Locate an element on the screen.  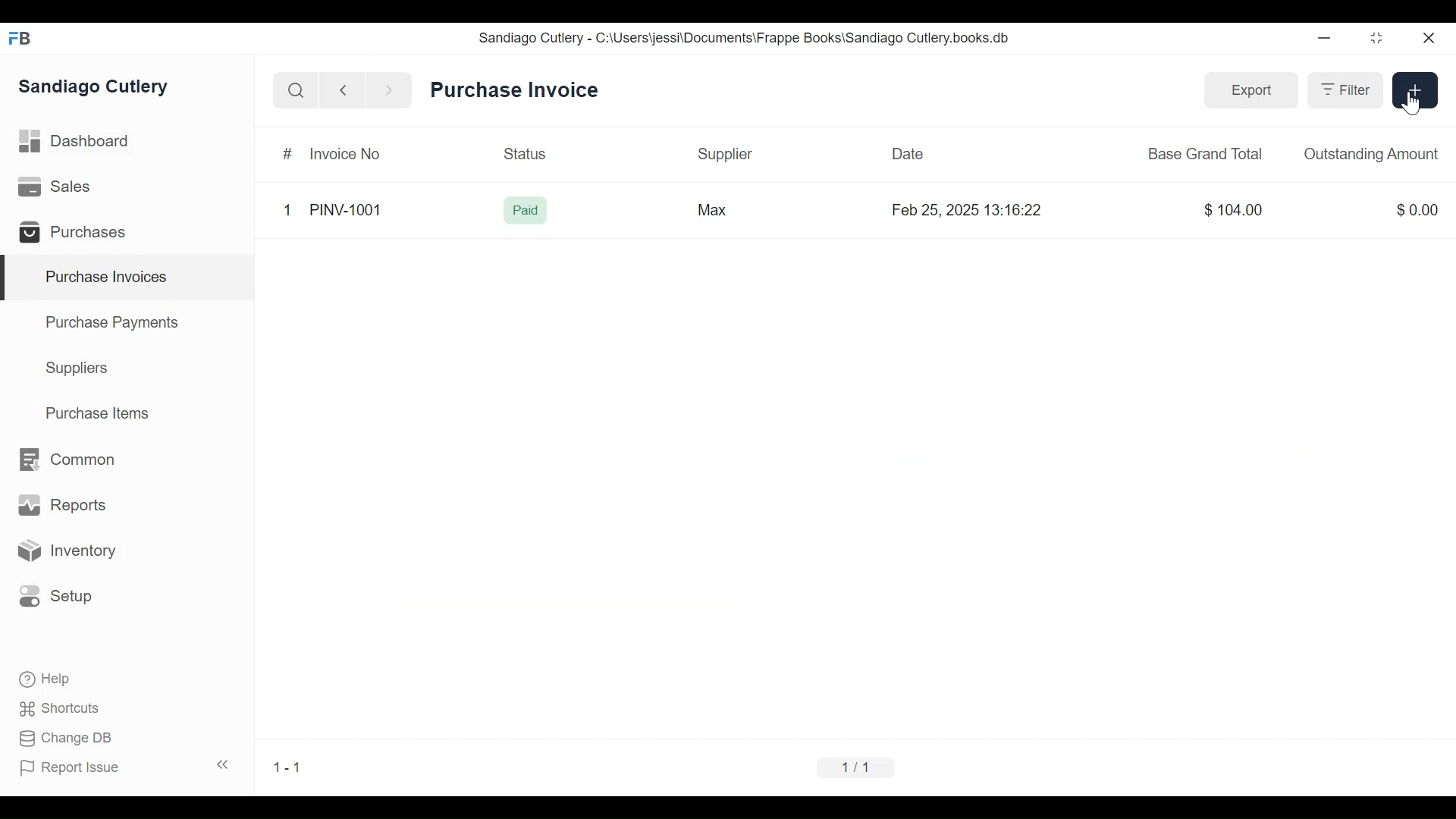
+ is located at coordinates (1416, 89).